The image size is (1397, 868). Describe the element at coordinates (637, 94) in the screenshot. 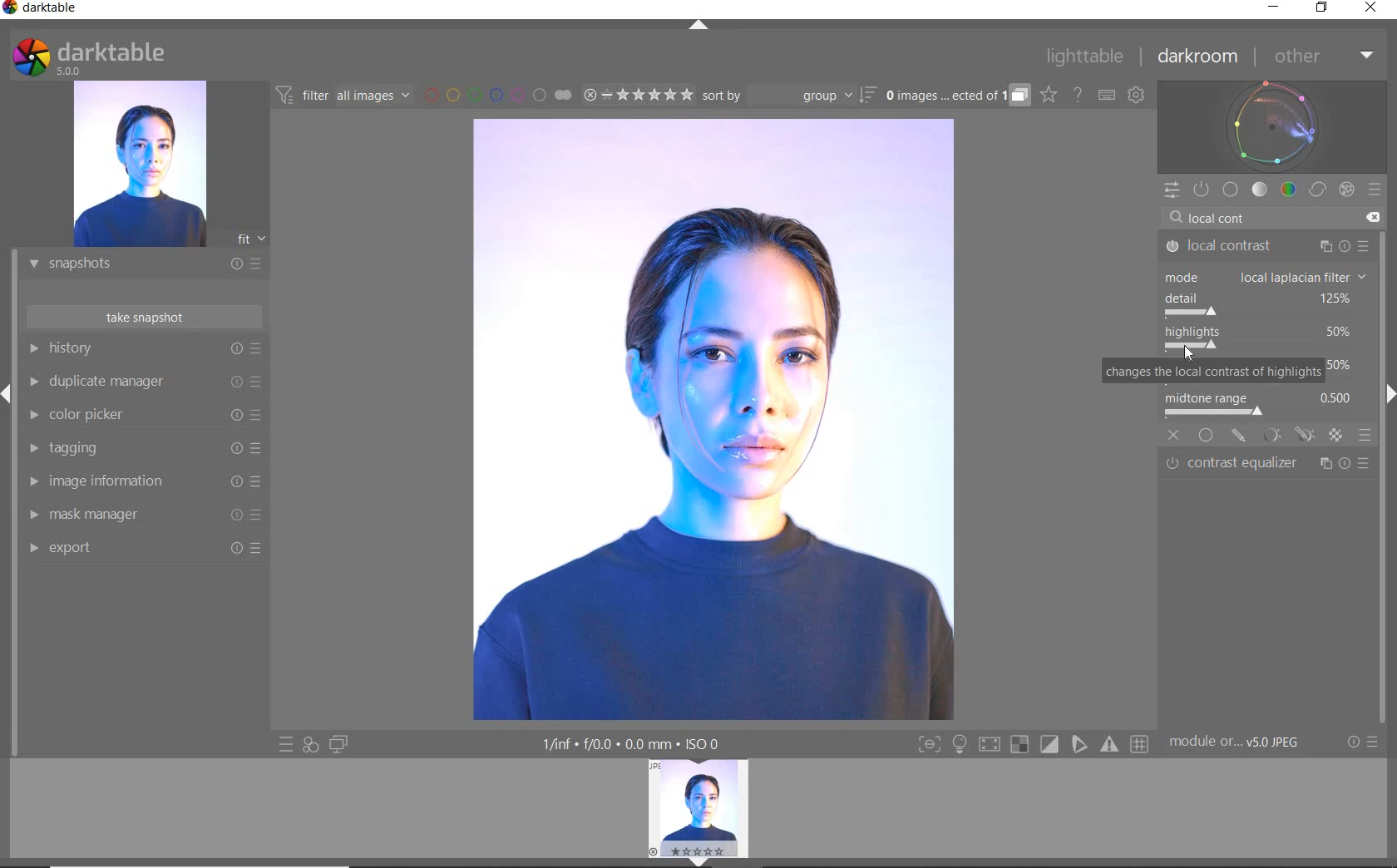

I see `RANGE RATING OF SELECTED IMAGES` at that location.